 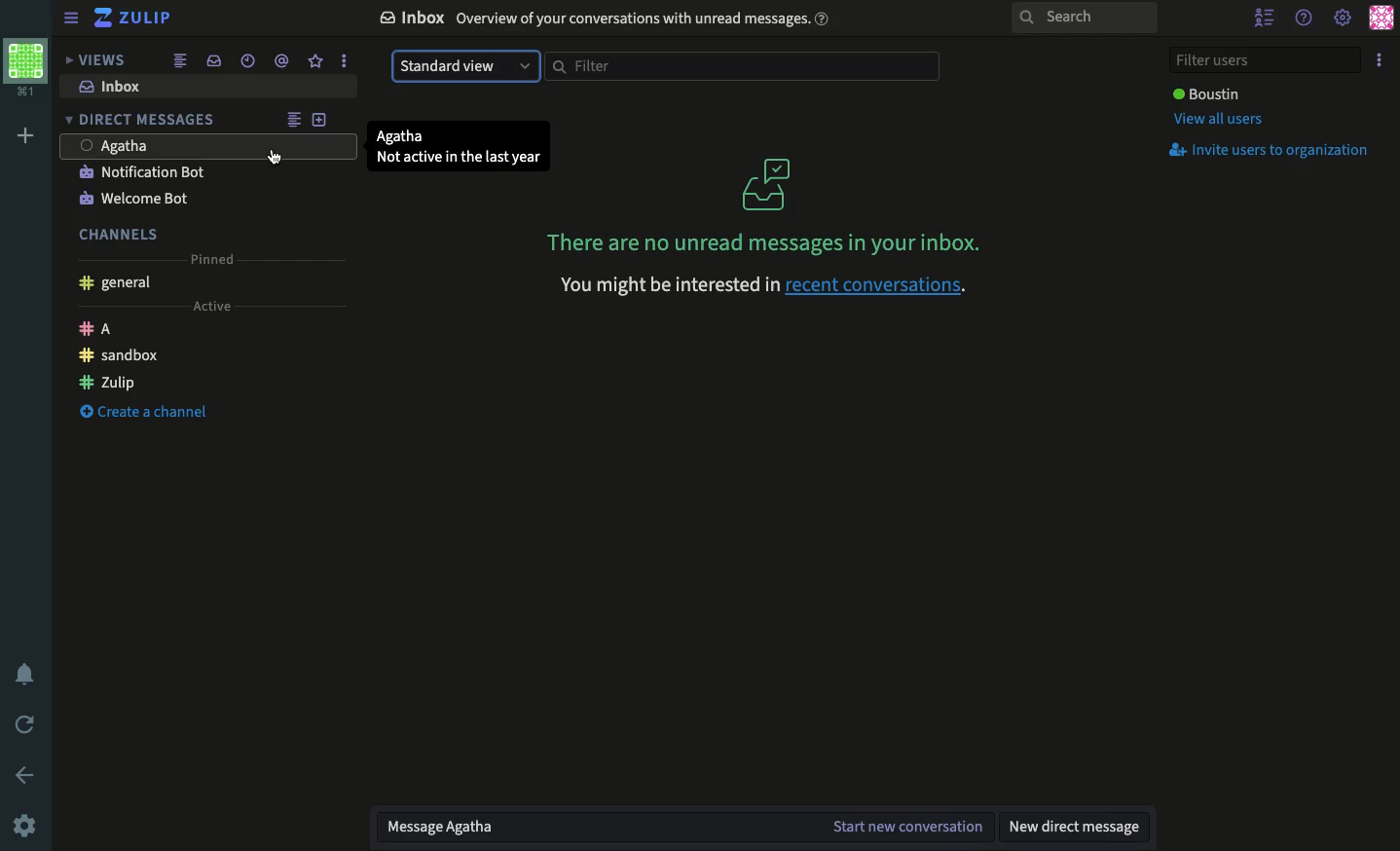 I want to click on Pinned, so click(x=207, y=259).